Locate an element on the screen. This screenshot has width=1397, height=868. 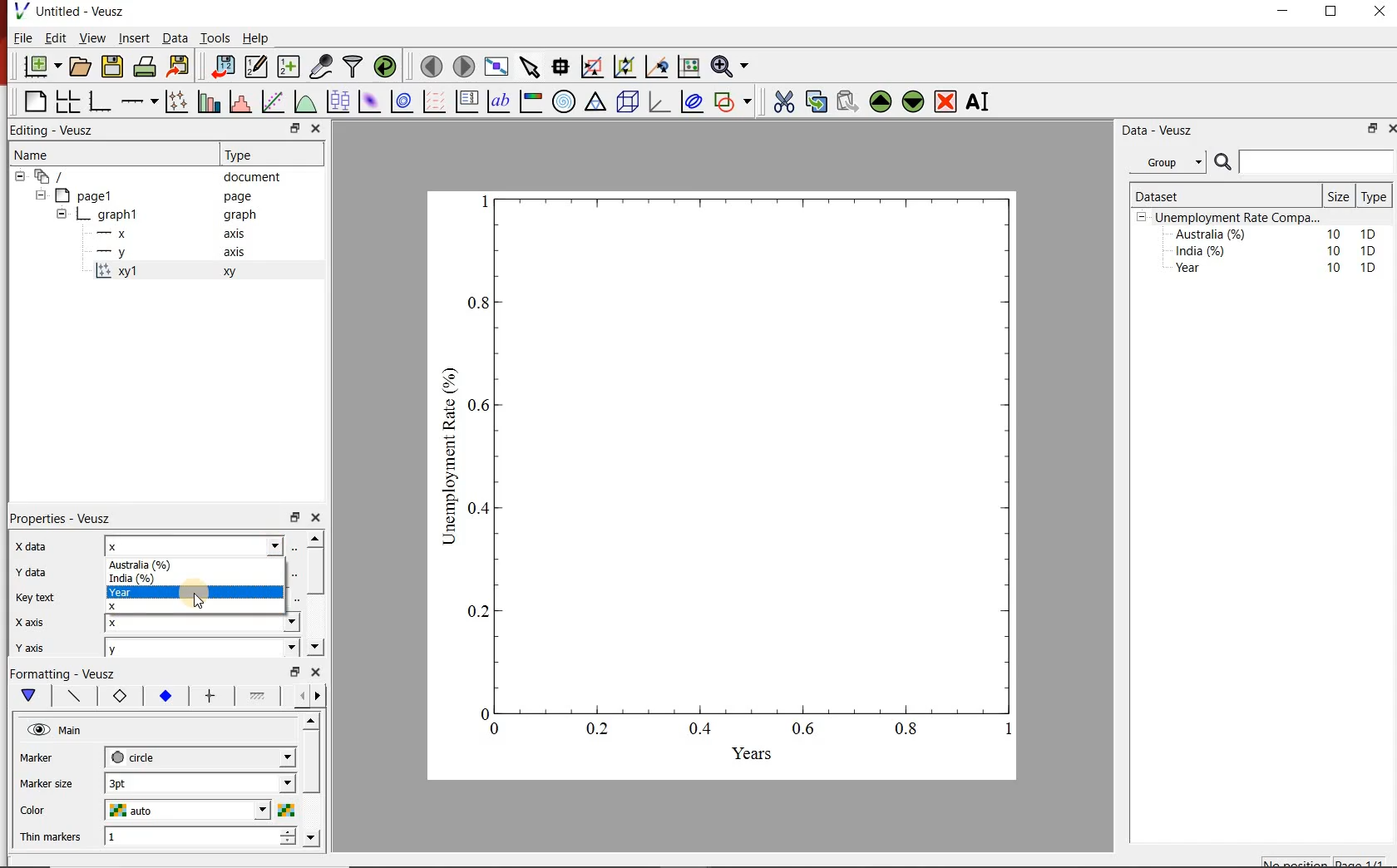
close is located at coordinates (317, 518).